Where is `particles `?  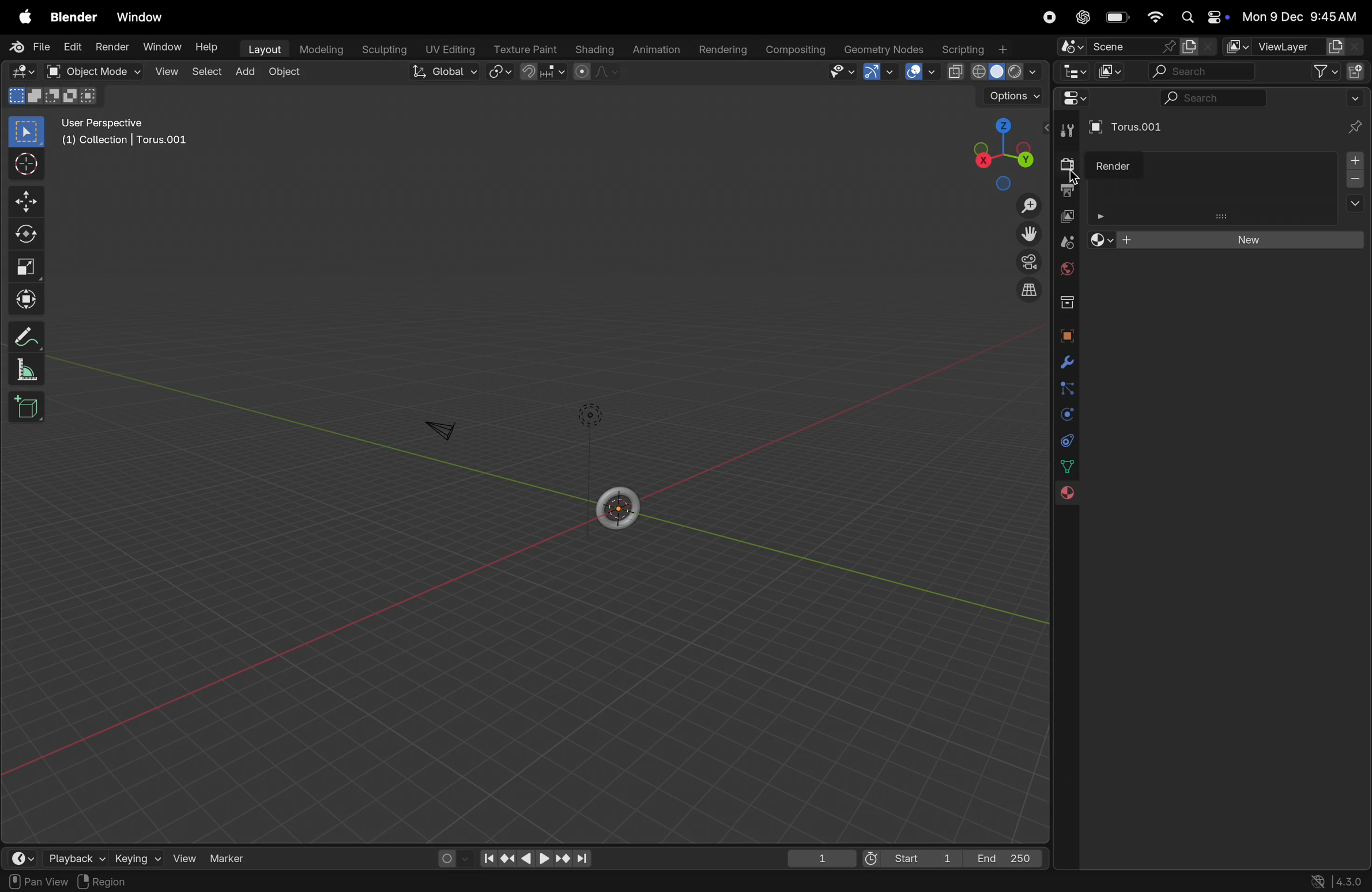
particles  is located at coordinates (1063, 390).